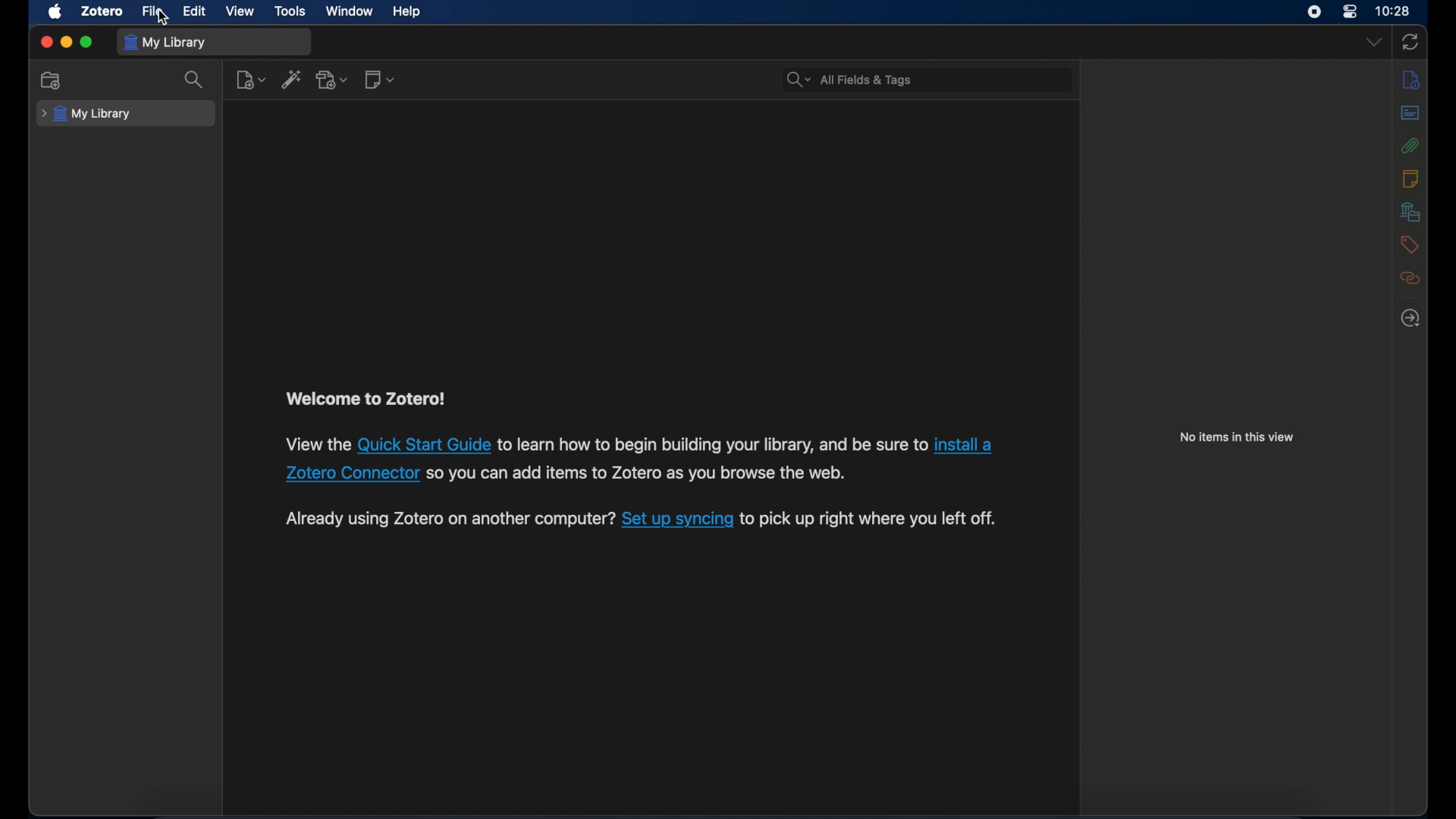  I want to click on view, so click(241, 11).